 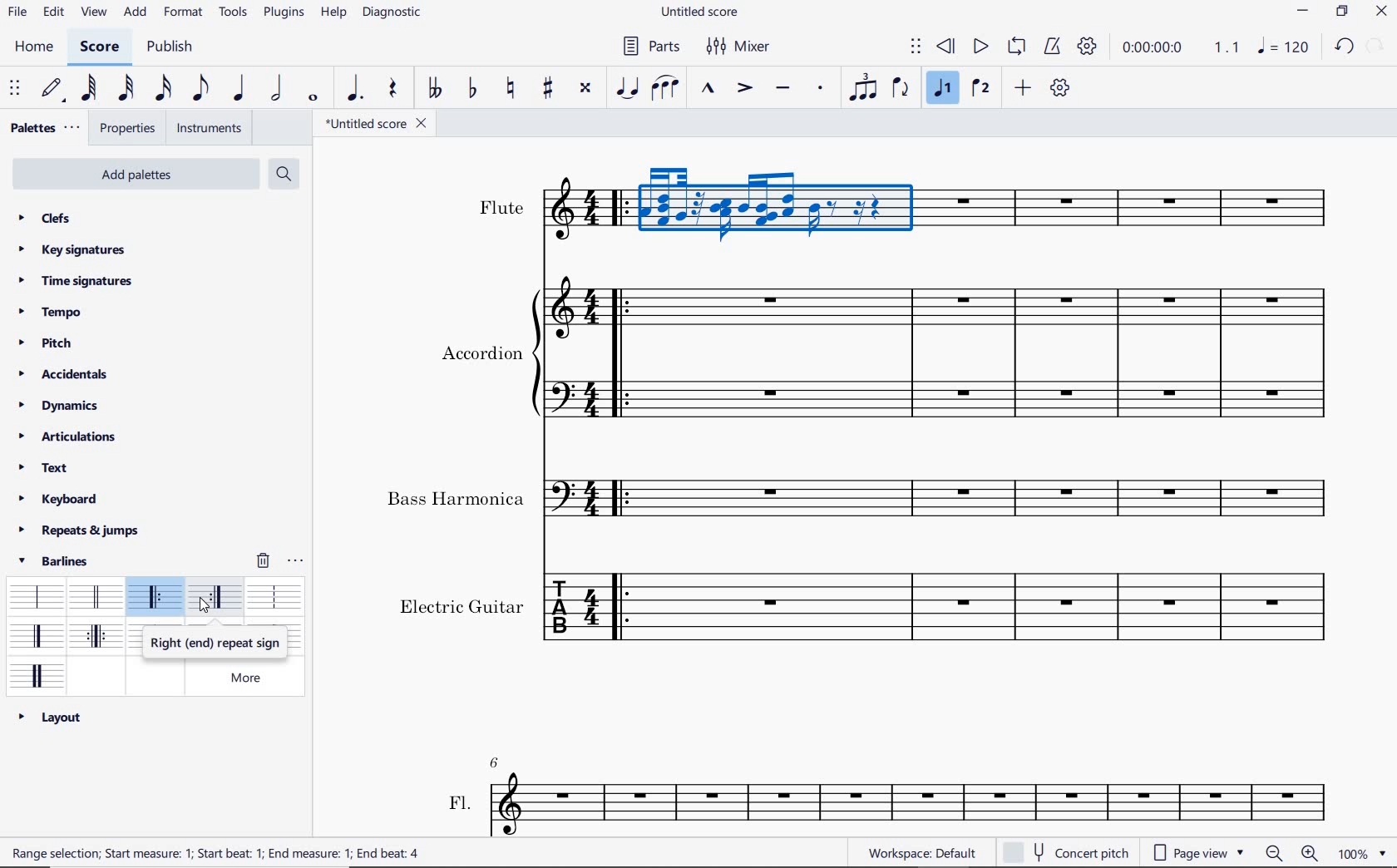 What do you see at coordinates (1087, 46) in the screenshot?
I see `playback settings` at bounding box center [1087, 46].